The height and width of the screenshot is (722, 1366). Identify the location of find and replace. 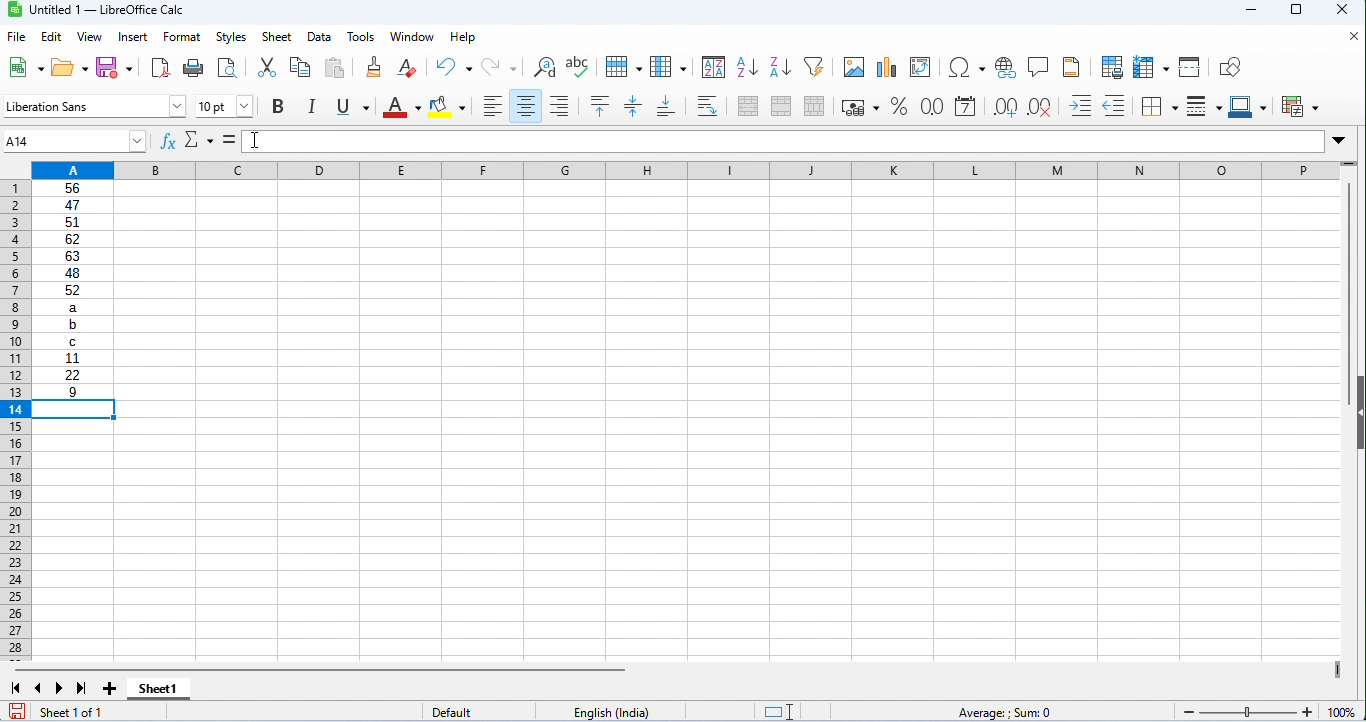
(543, 67).